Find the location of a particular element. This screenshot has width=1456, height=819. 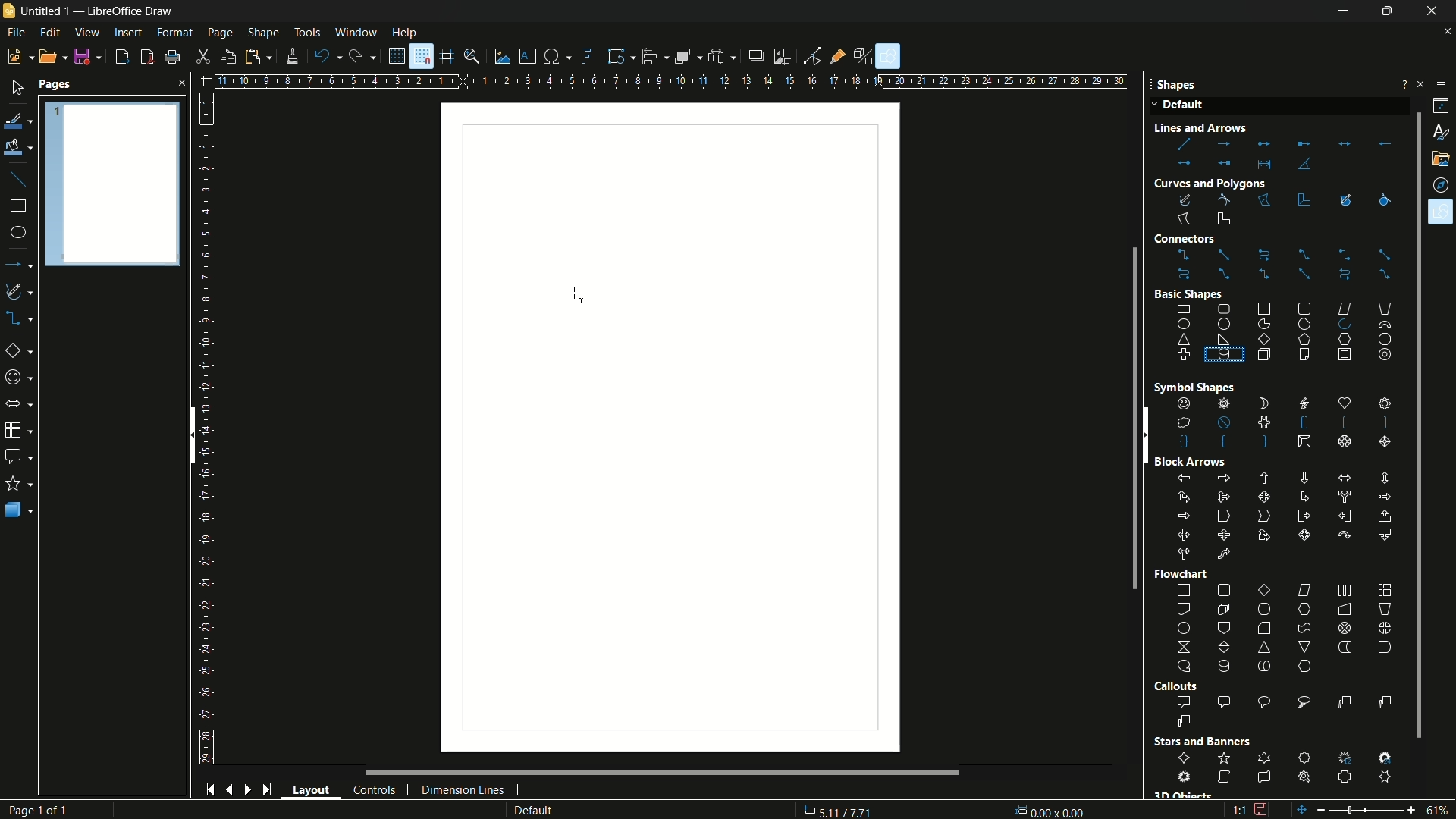

helplines while moving is located at coordinates (447, 58).